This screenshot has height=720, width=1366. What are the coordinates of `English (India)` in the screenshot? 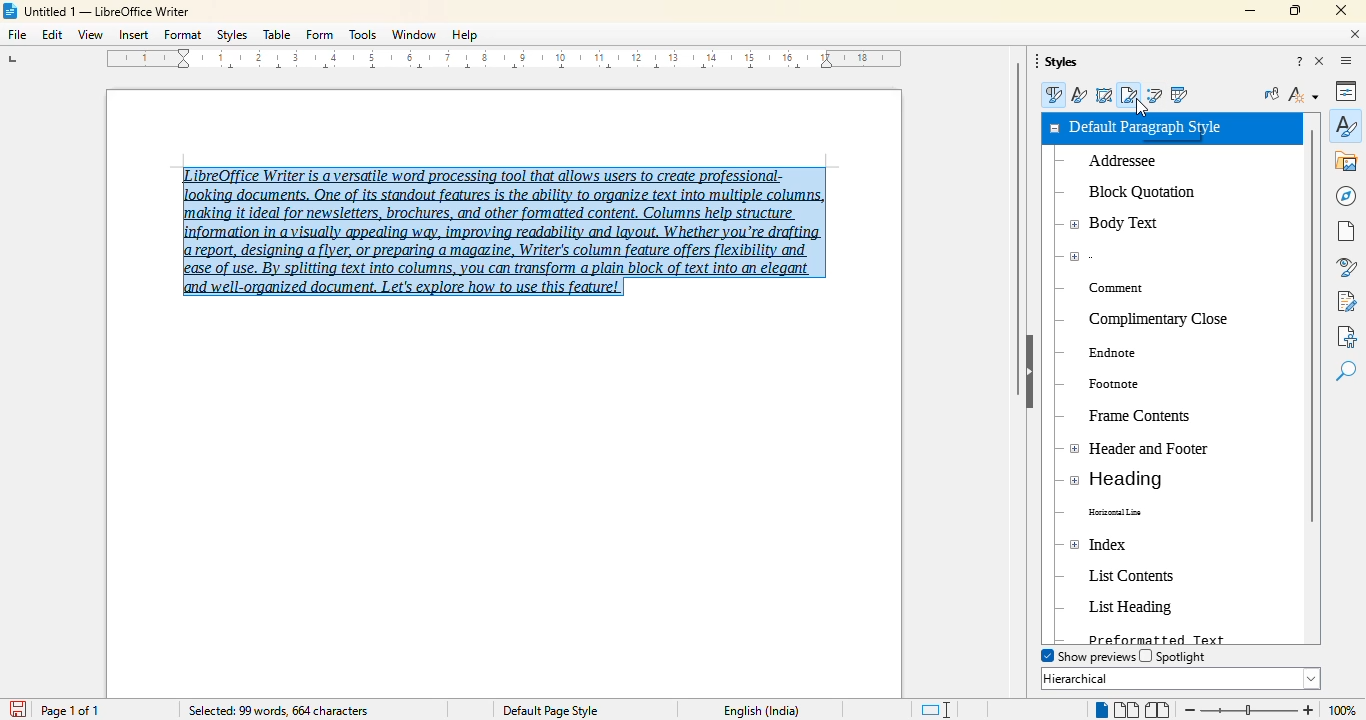 It's located at (762, 711).